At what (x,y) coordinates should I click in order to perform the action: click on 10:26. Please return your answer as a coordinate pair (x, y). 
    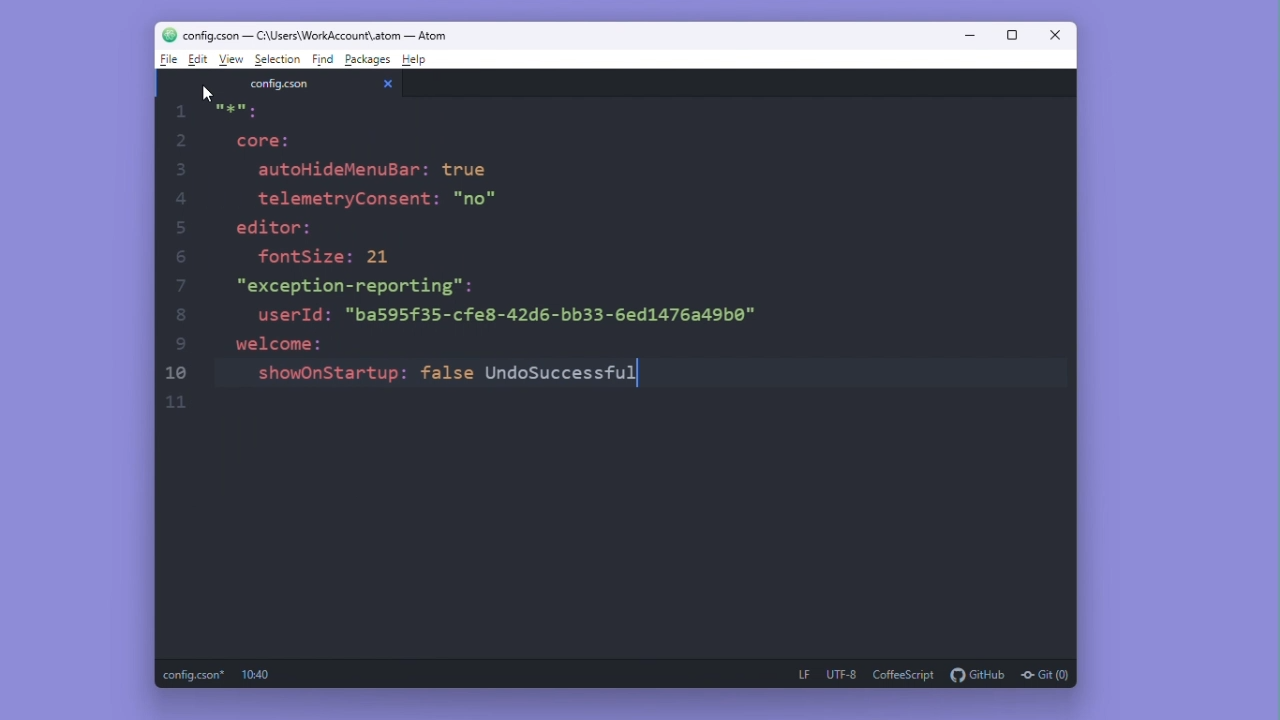
    Looking at the image, I should click on (258, 676).